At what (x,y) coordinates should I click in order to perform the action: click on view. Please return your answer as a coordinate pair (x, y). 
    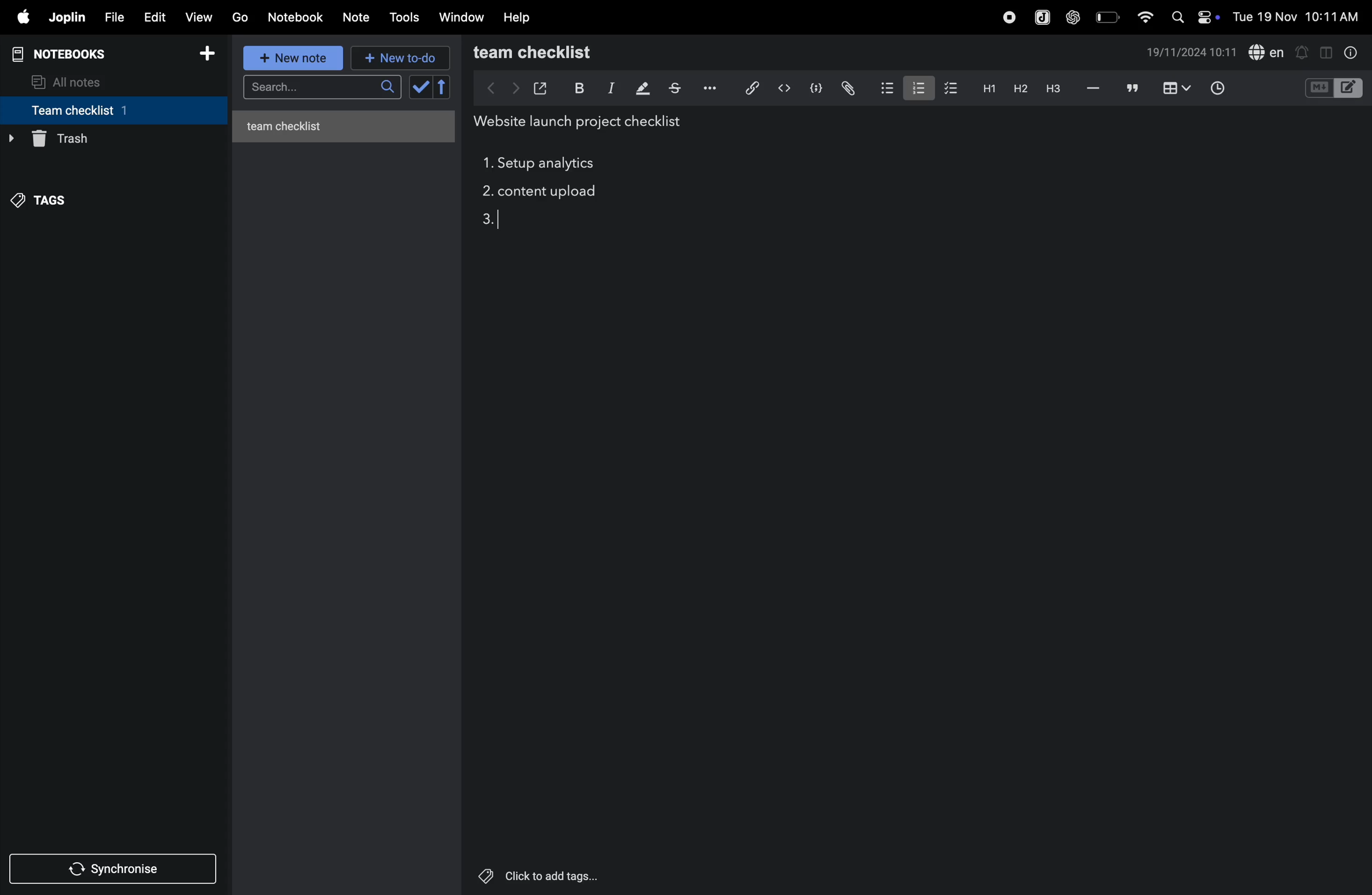
    Looking at the image, I should click on (201, 16).